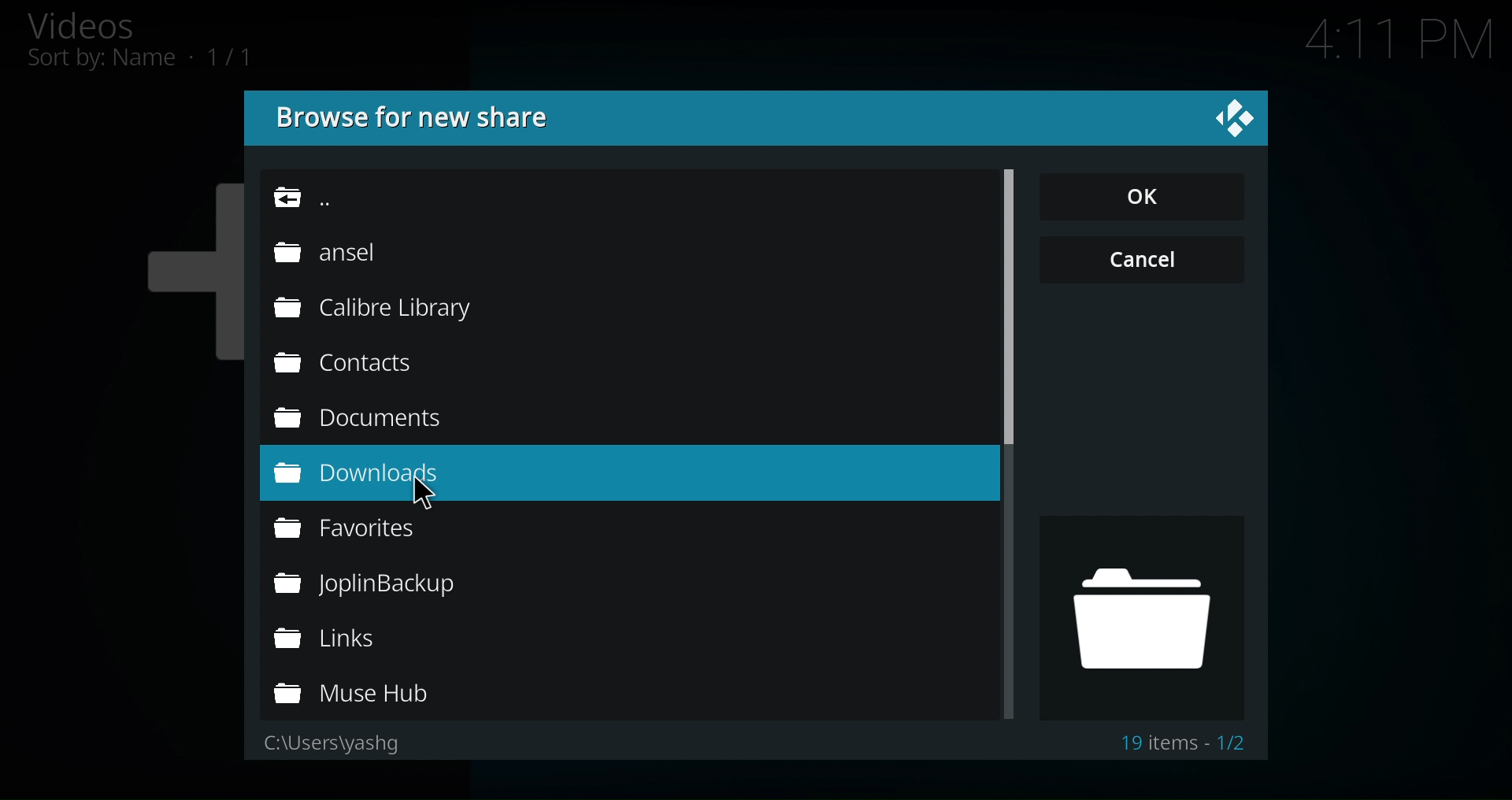  I want to click on Calibre Library, so click(369, 308).